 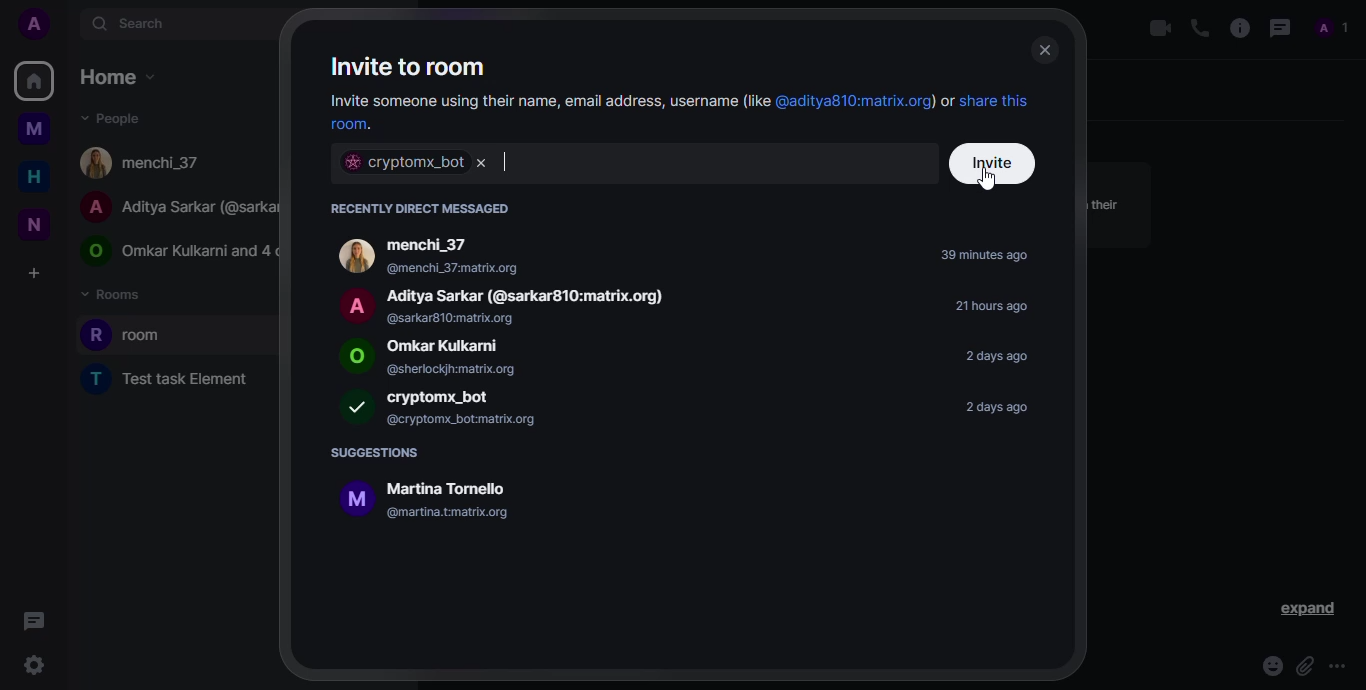 What do you see at coordinates (37, 128) in the screenshot?
I see `myspace` at bounding box center [37, 128].